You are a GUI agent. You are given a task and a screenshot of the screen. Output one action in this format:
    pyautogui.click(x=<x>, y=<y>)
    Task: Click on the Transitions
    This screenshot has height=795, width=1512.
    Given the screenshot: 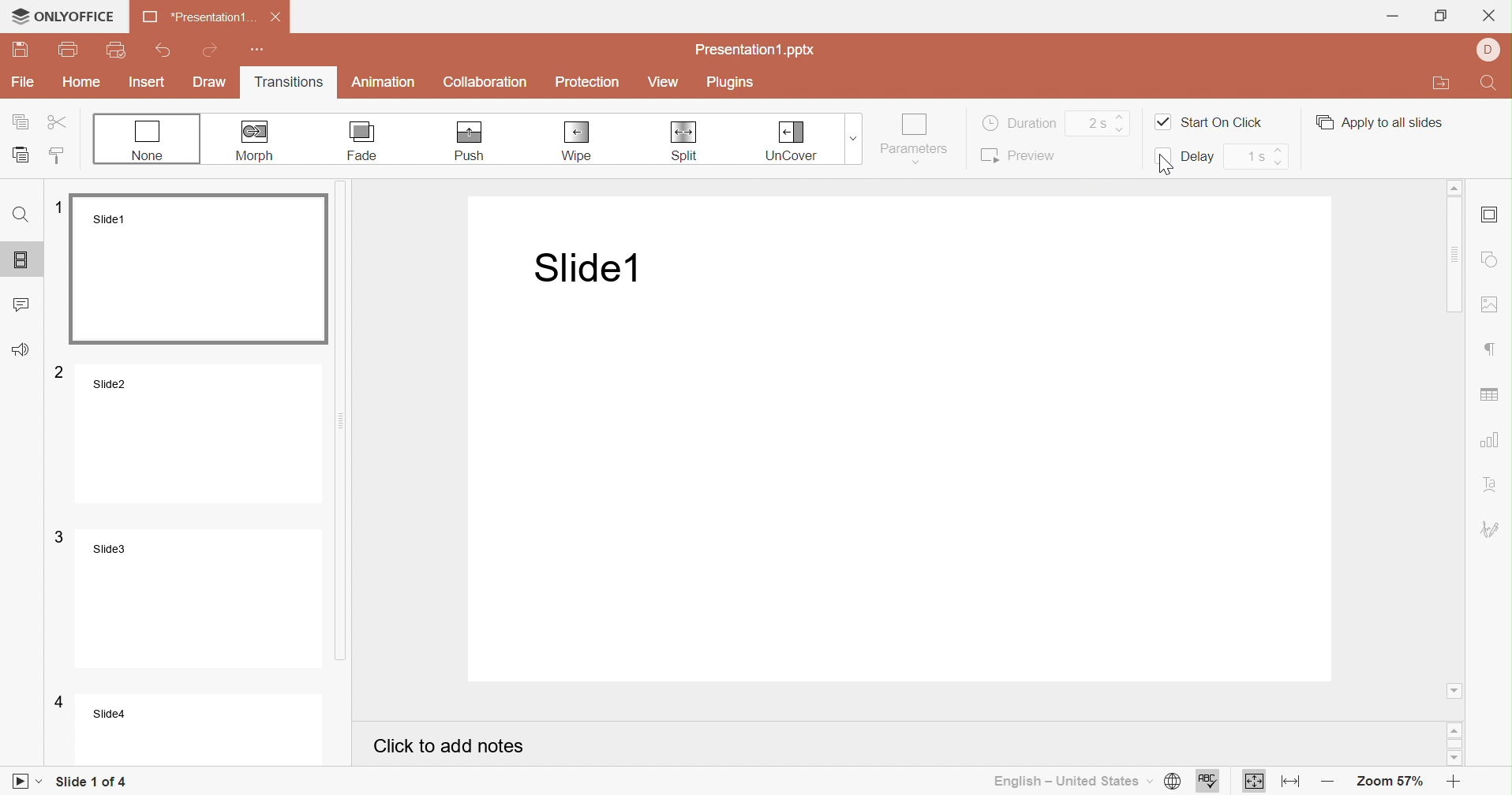 What is the action you would take?
    pyautogui.click(x=288, y=84)
    